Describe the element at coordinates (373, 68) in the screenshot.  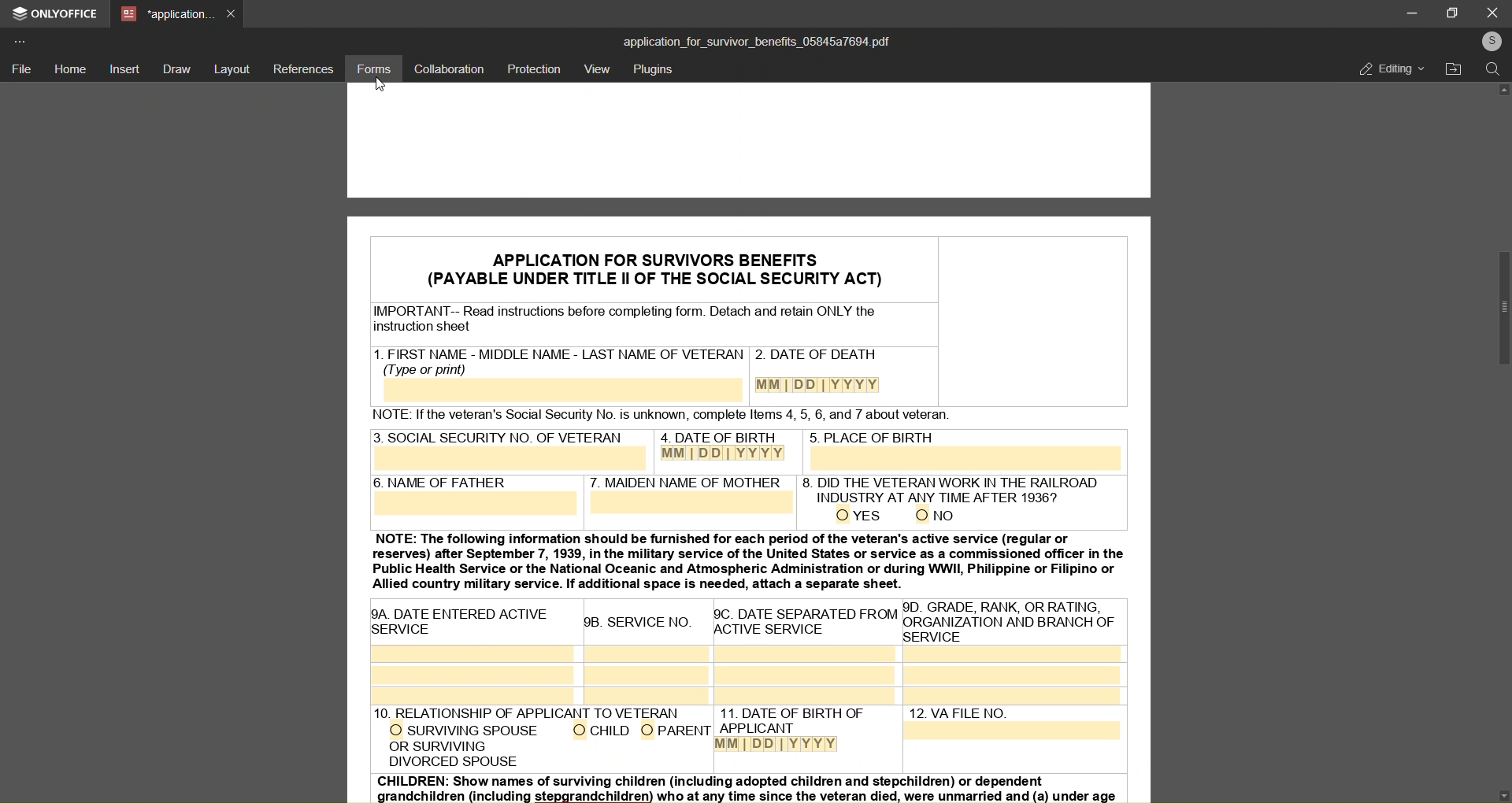
I see `forms` at that location.